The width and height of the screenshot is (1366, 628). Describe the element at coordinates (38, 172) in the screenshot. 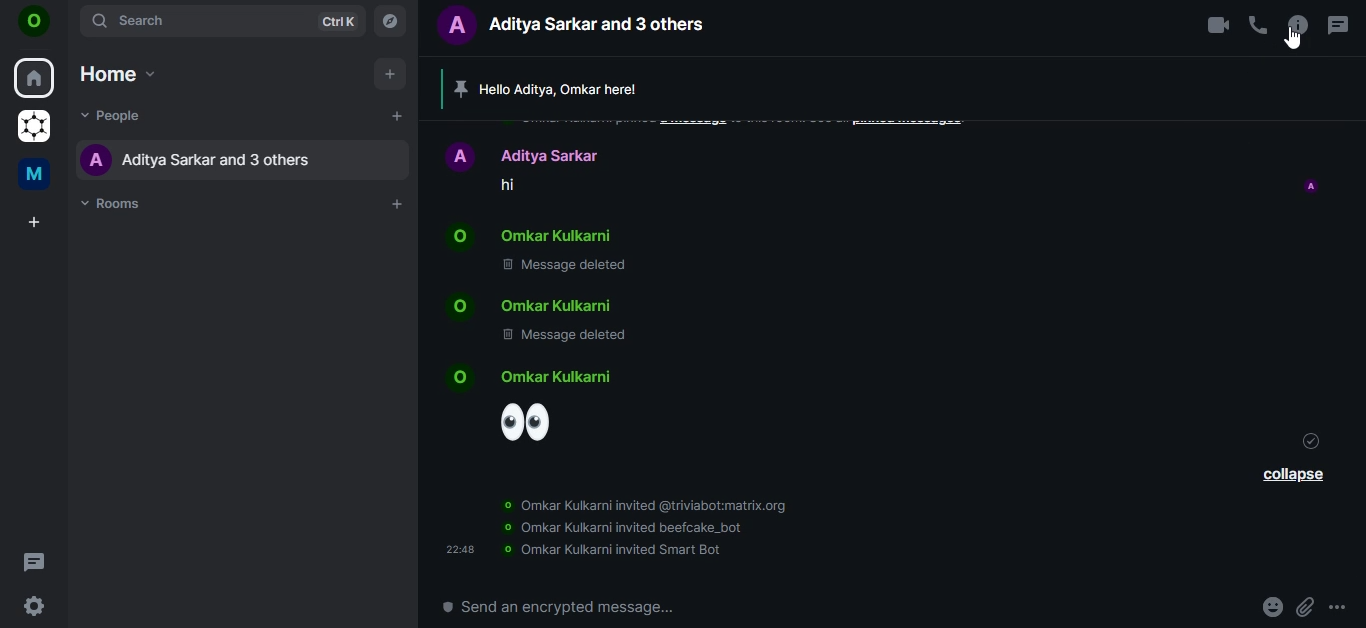

I see `me` at that location.